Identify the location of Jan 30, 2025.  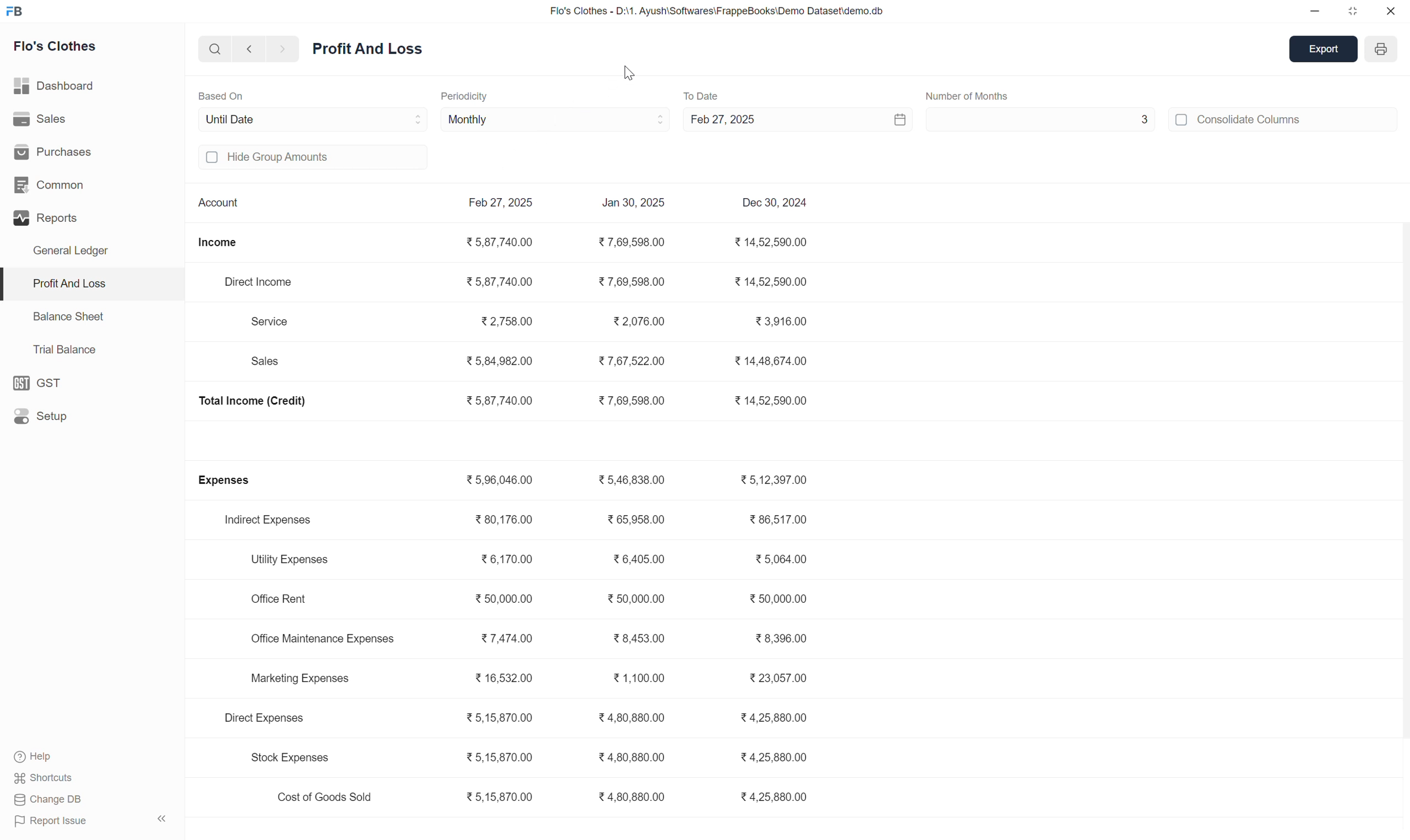
(634, 203).